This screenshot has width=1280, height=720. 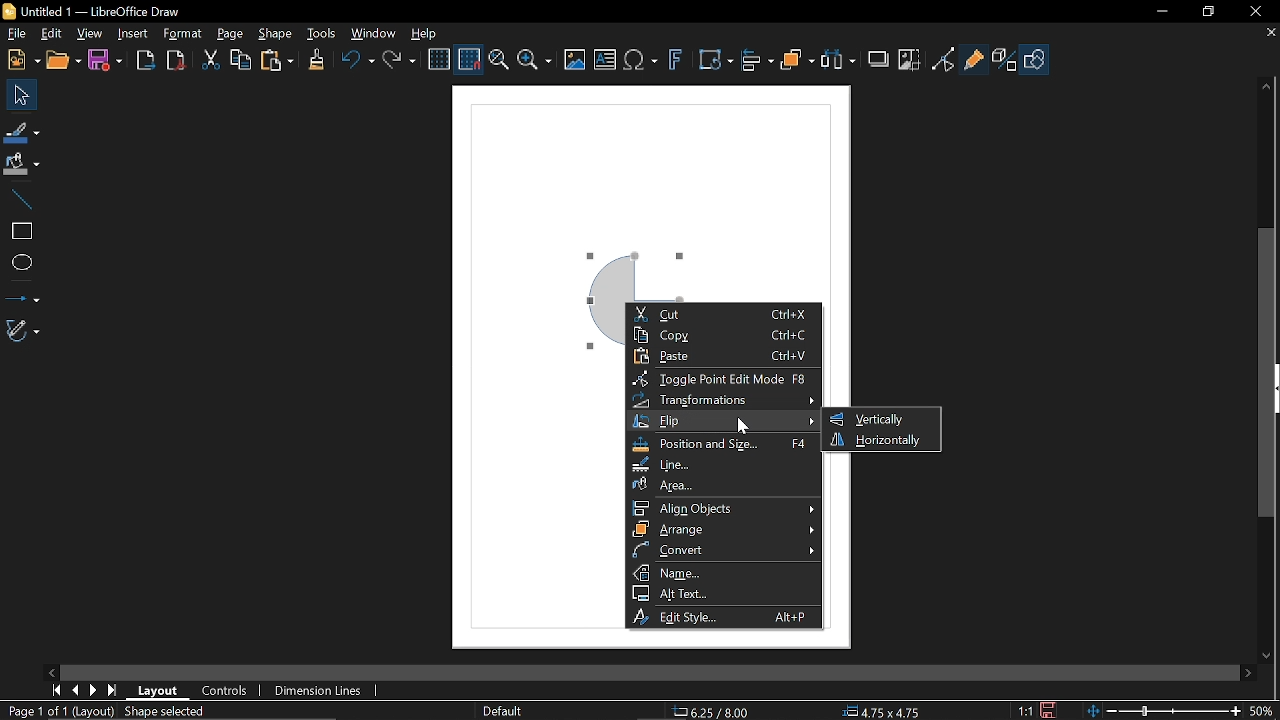 I want to click on Move up, so click(x=1271, y=86).